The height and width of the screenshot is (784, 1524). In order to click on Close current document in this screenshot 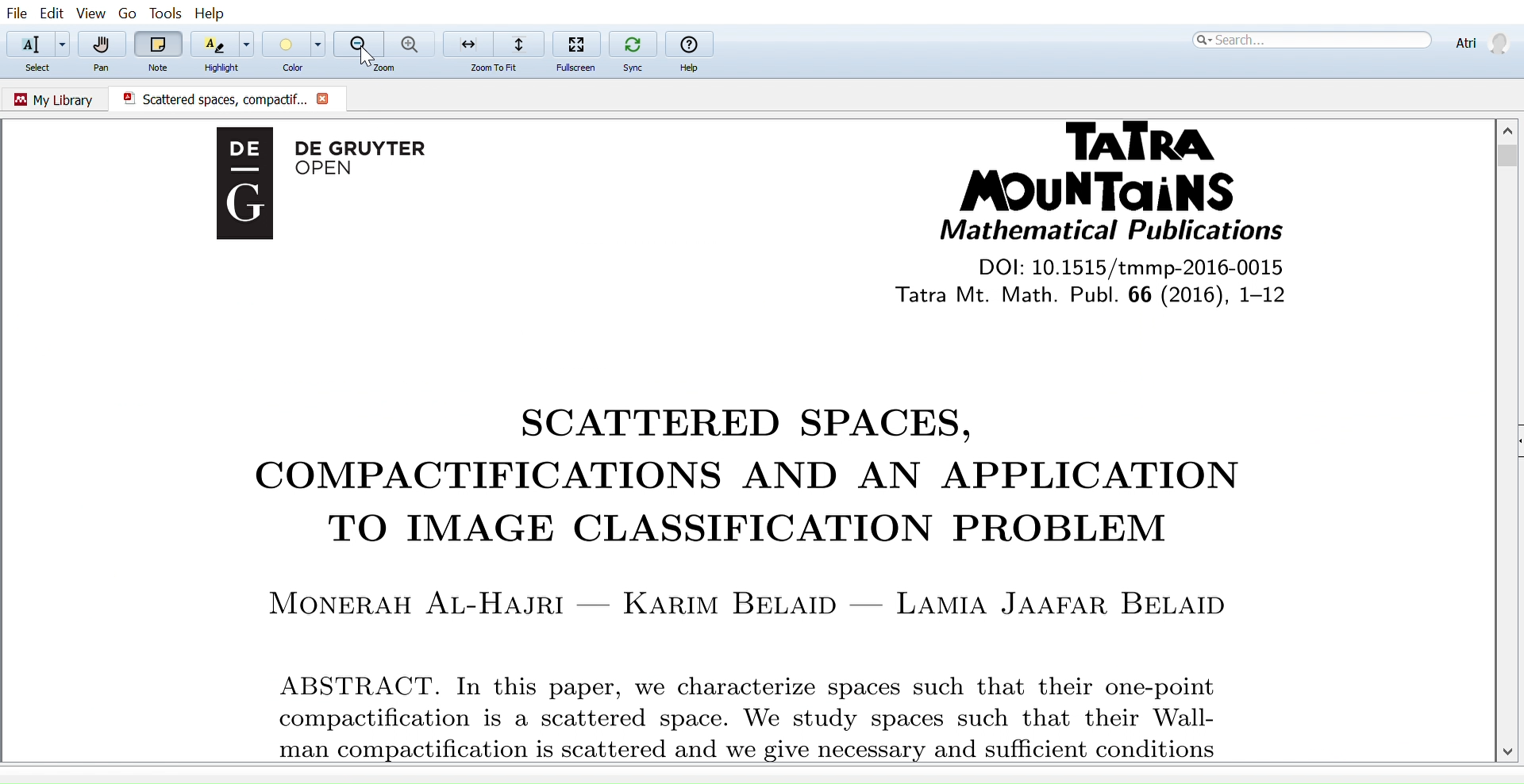, I will do `click(324, 100)`.